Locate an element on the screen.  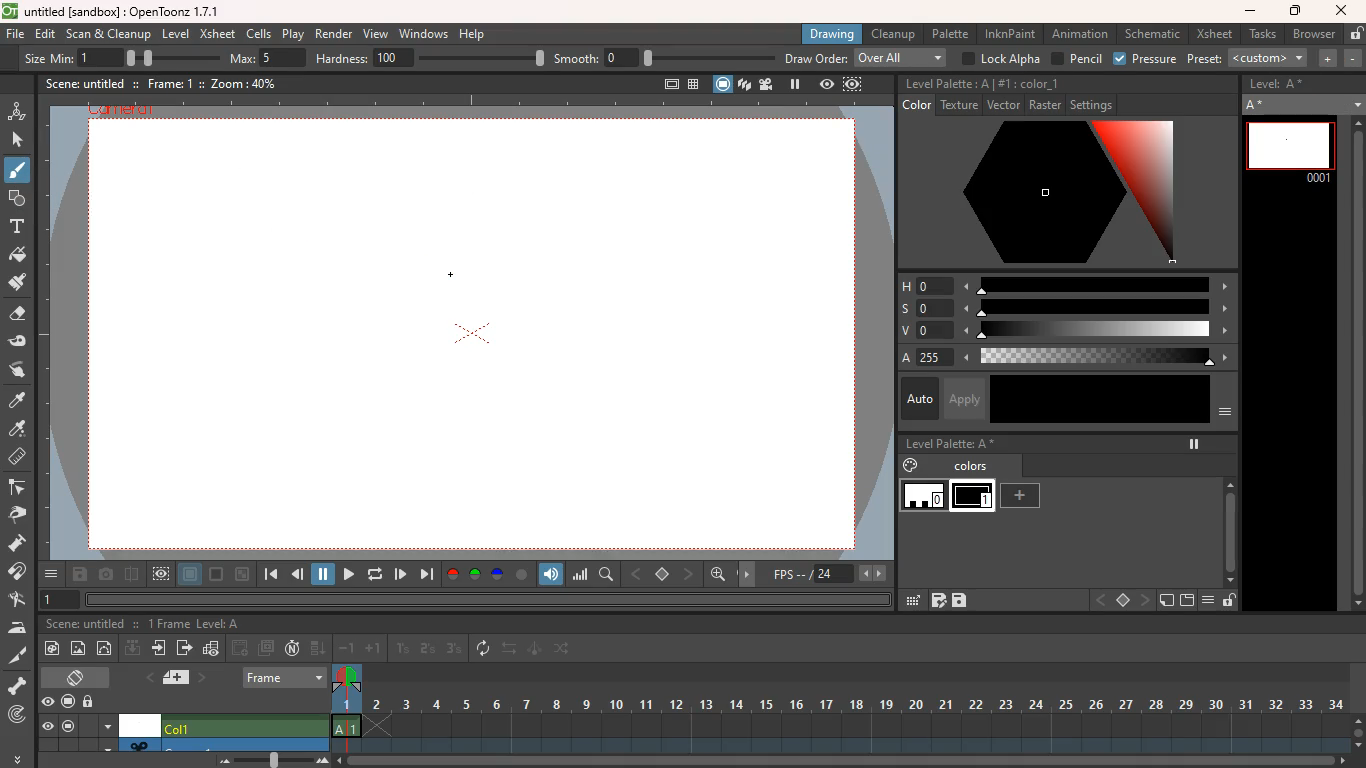
frame is located at coordinates (852, 86).